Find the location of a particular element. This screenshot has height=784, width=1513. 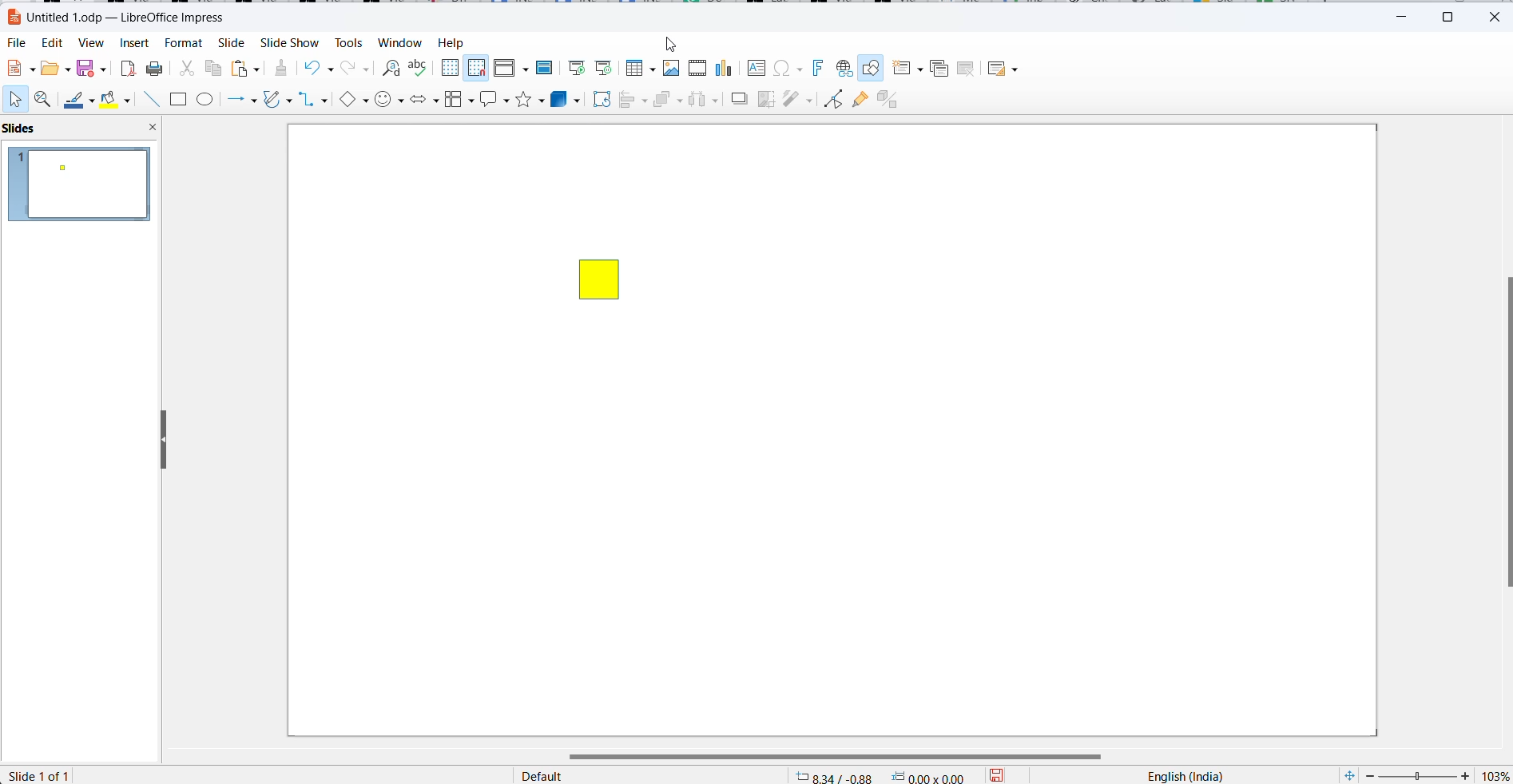

print is located at coordinates (156, 70).